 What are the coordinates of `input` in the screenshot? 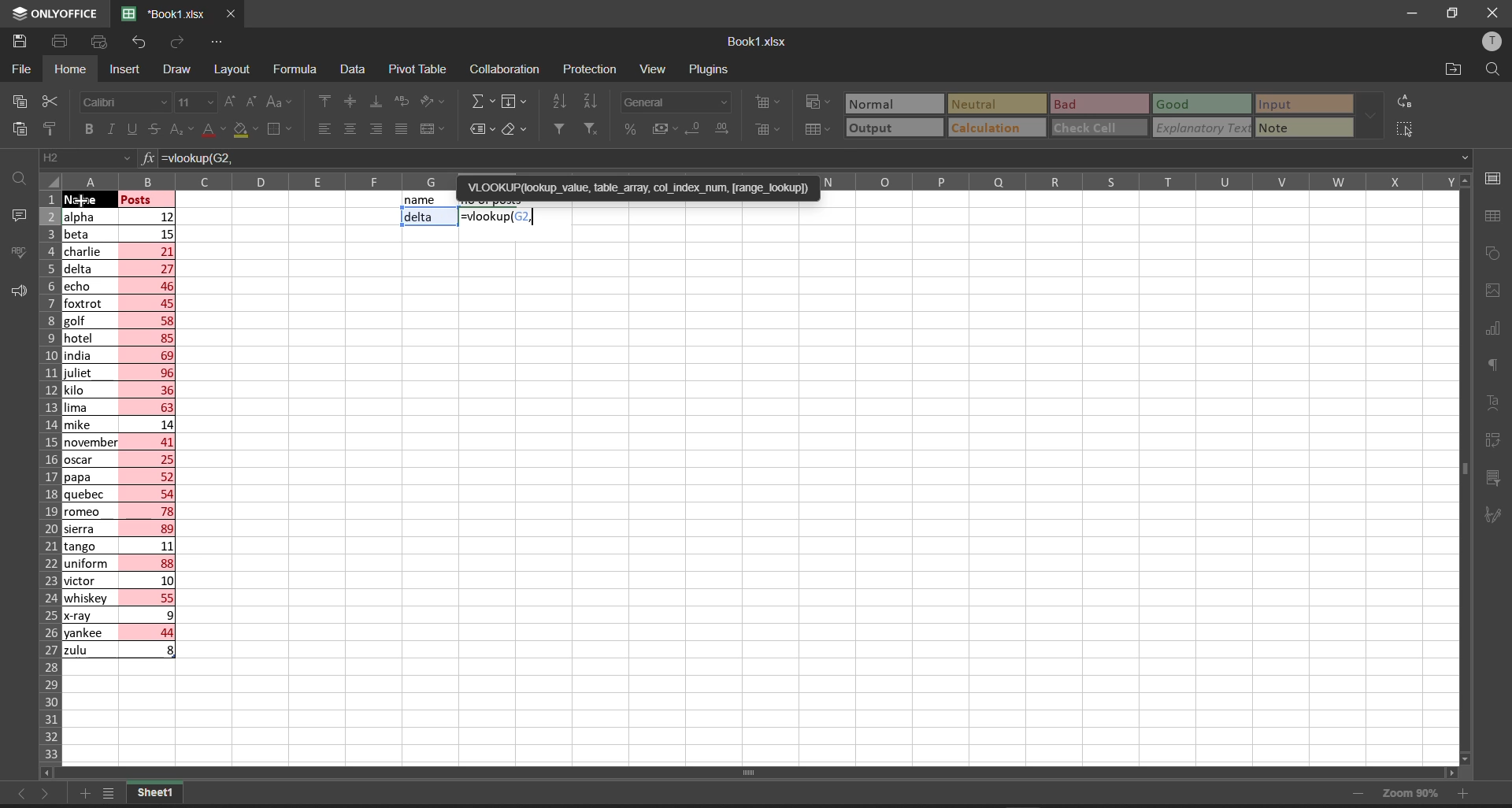 It's located at (1283, 102).